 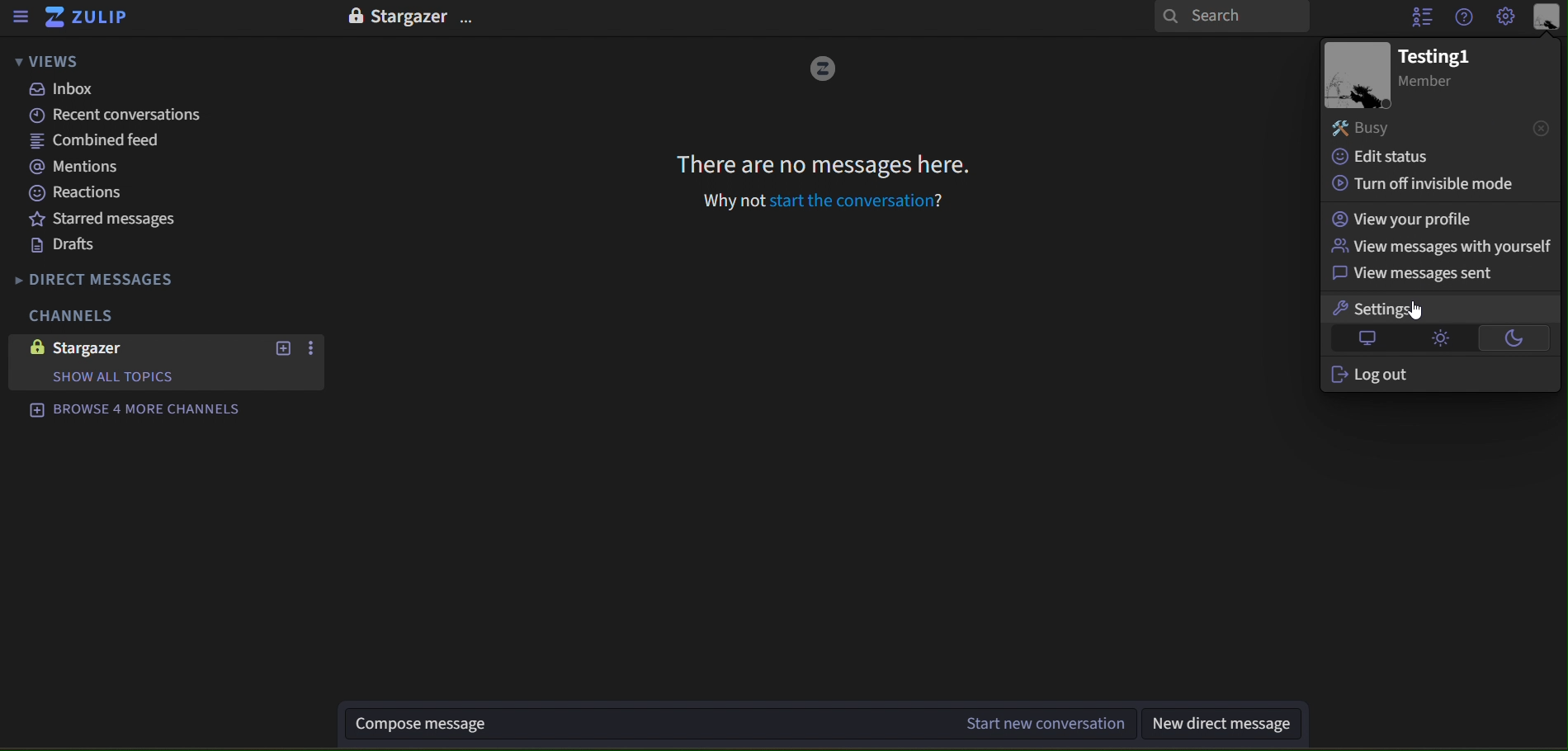 What do you see at coordinates (1466, 17) in the screenshot?
I see `help` at bounding box center [1466, 17].